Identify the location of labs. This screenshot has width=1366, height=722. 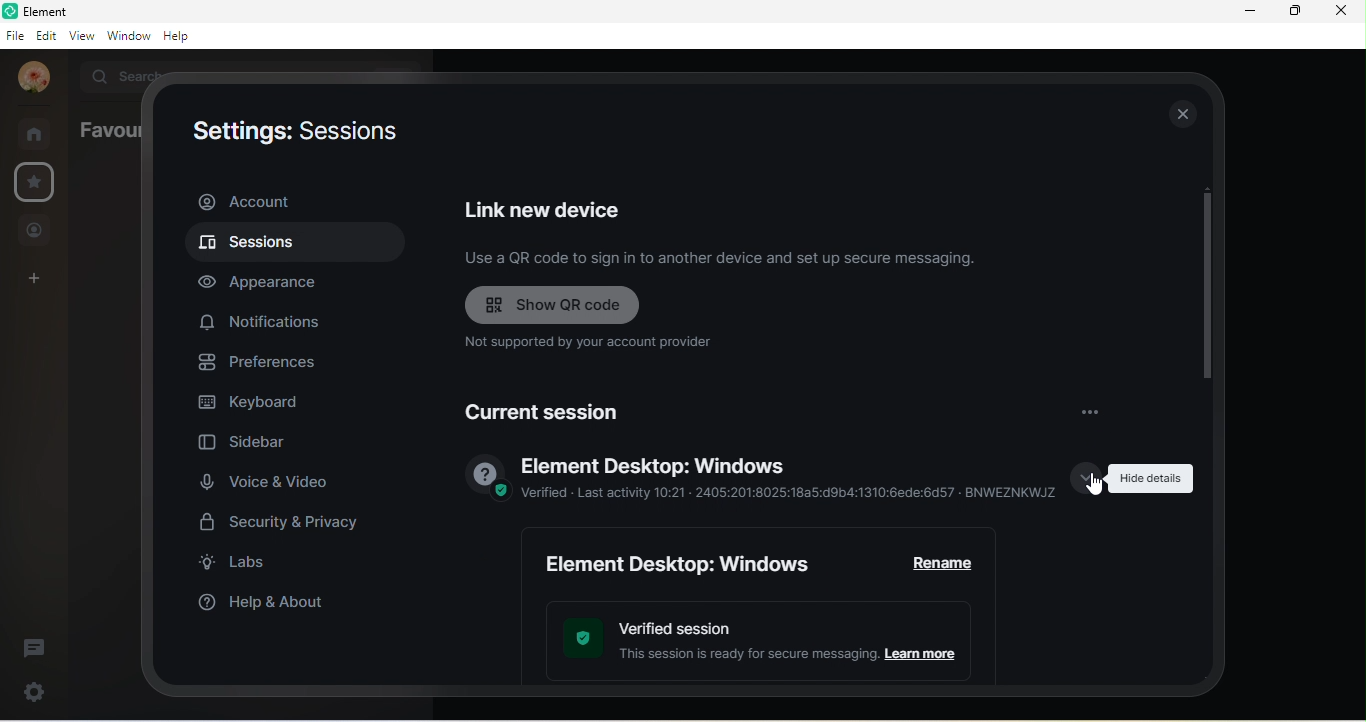
(241, 565).